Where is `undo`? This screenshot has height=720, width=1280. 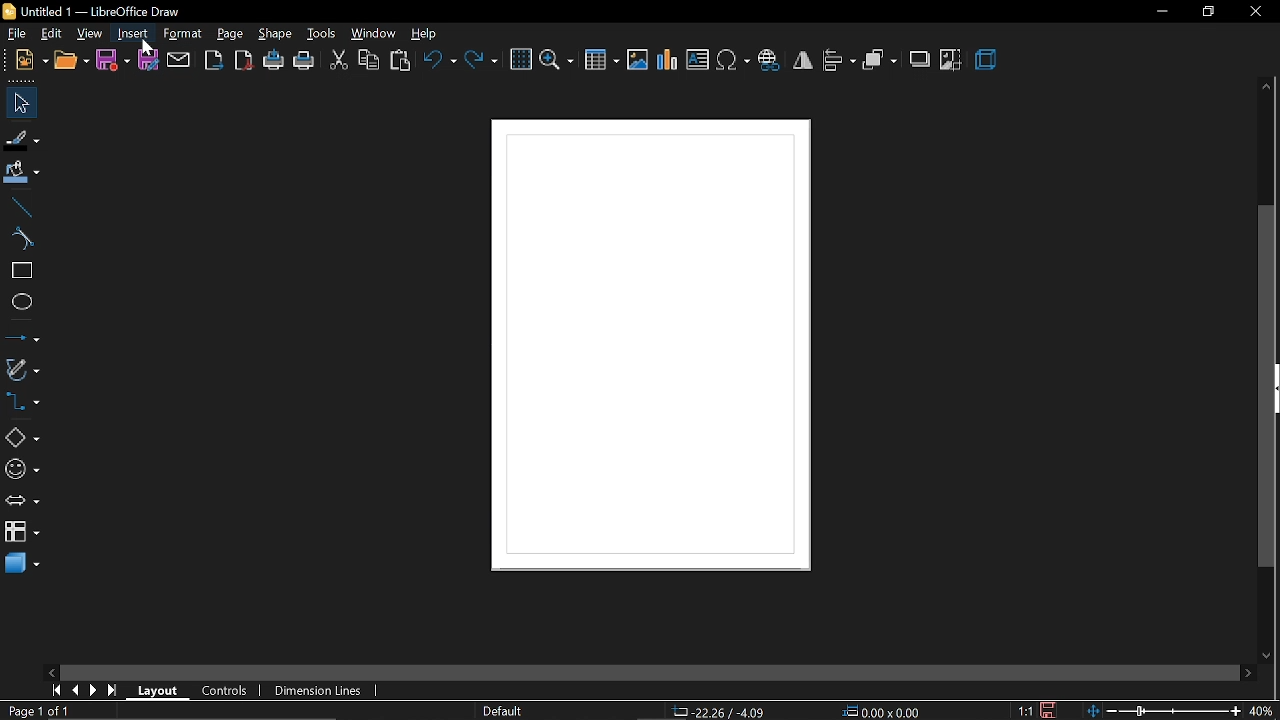
undo is located at coordinates (439, 62).